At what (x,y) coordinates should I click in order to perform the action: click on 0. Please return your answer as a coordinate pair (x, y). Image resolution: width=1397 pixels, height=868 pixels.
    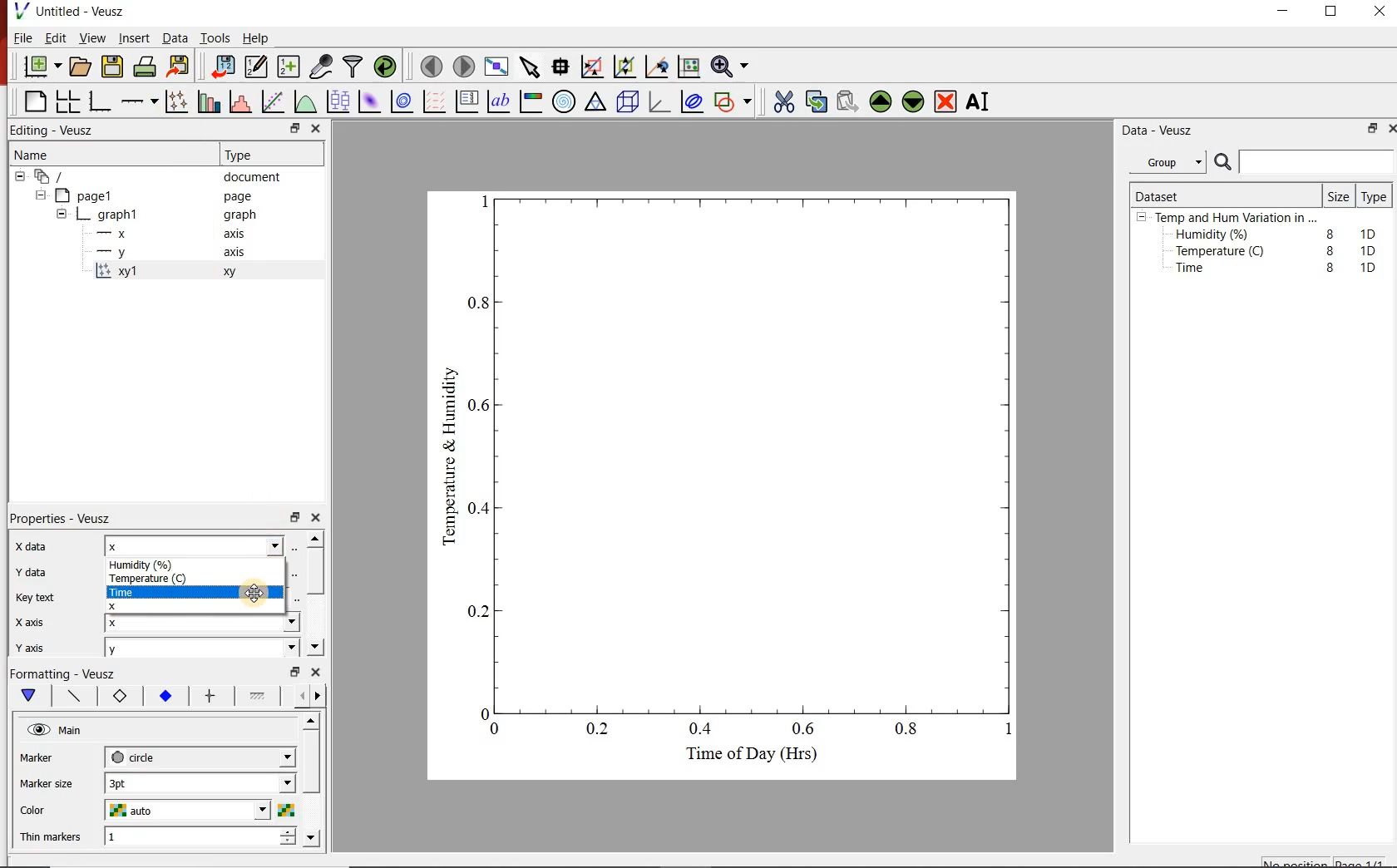
    Looking at the image, I should click on (479, 711).